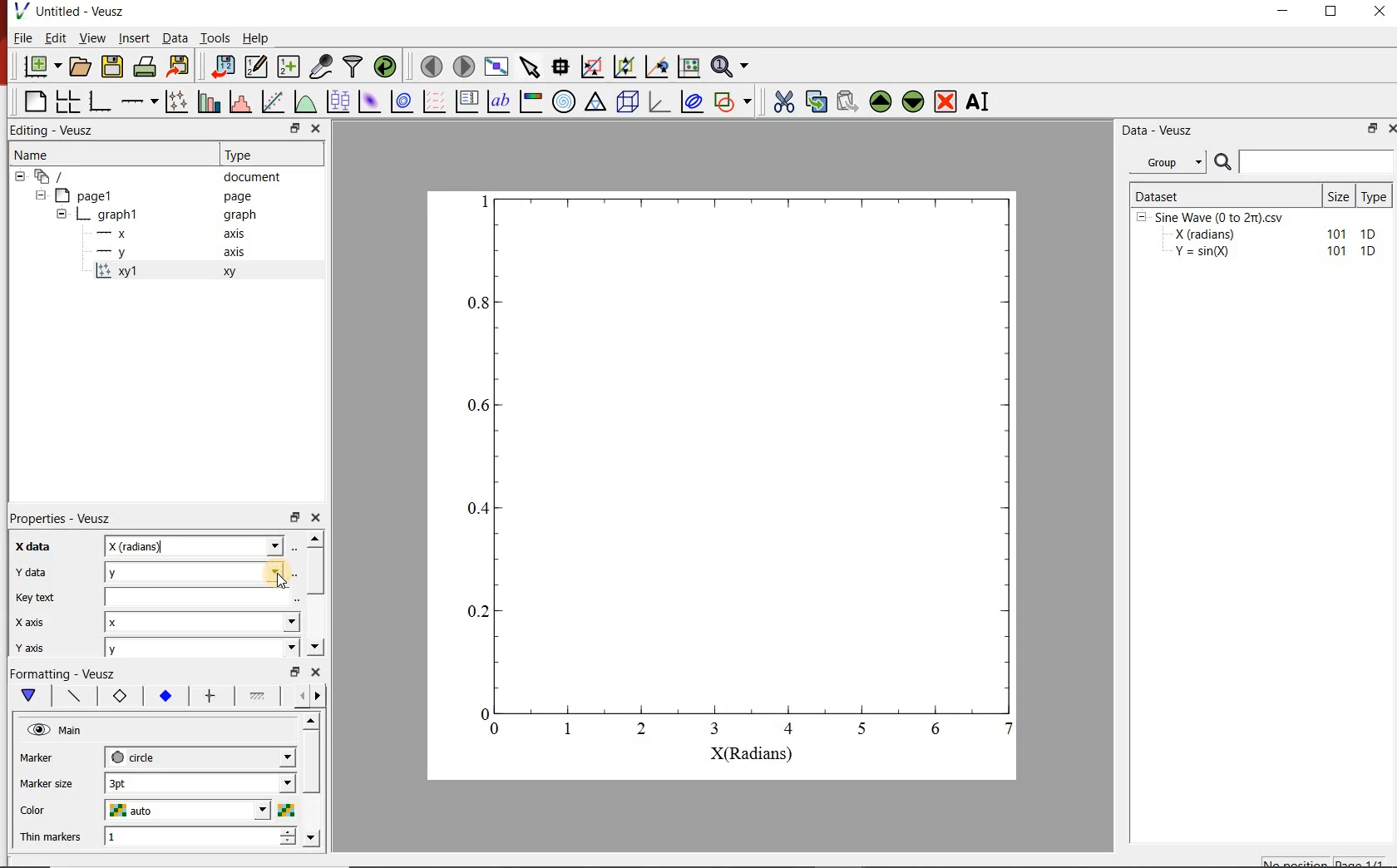 This screenshot has width=1397, height=868. I want to click on plot 2d dataset as contours, so click(402, 101).